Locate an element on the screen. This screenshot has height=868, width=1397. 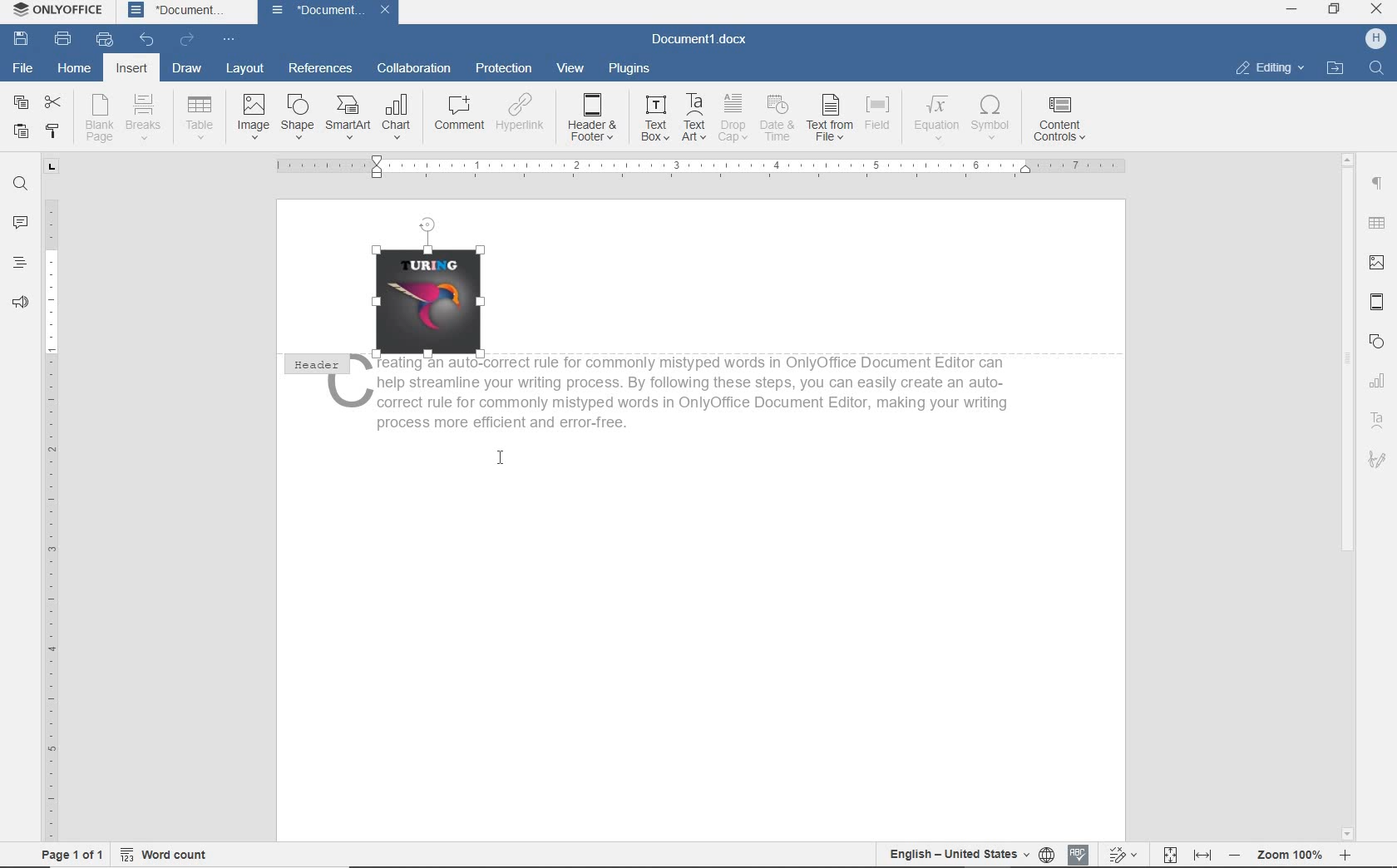
COLLABORATION is located at coordinates (413, 67).